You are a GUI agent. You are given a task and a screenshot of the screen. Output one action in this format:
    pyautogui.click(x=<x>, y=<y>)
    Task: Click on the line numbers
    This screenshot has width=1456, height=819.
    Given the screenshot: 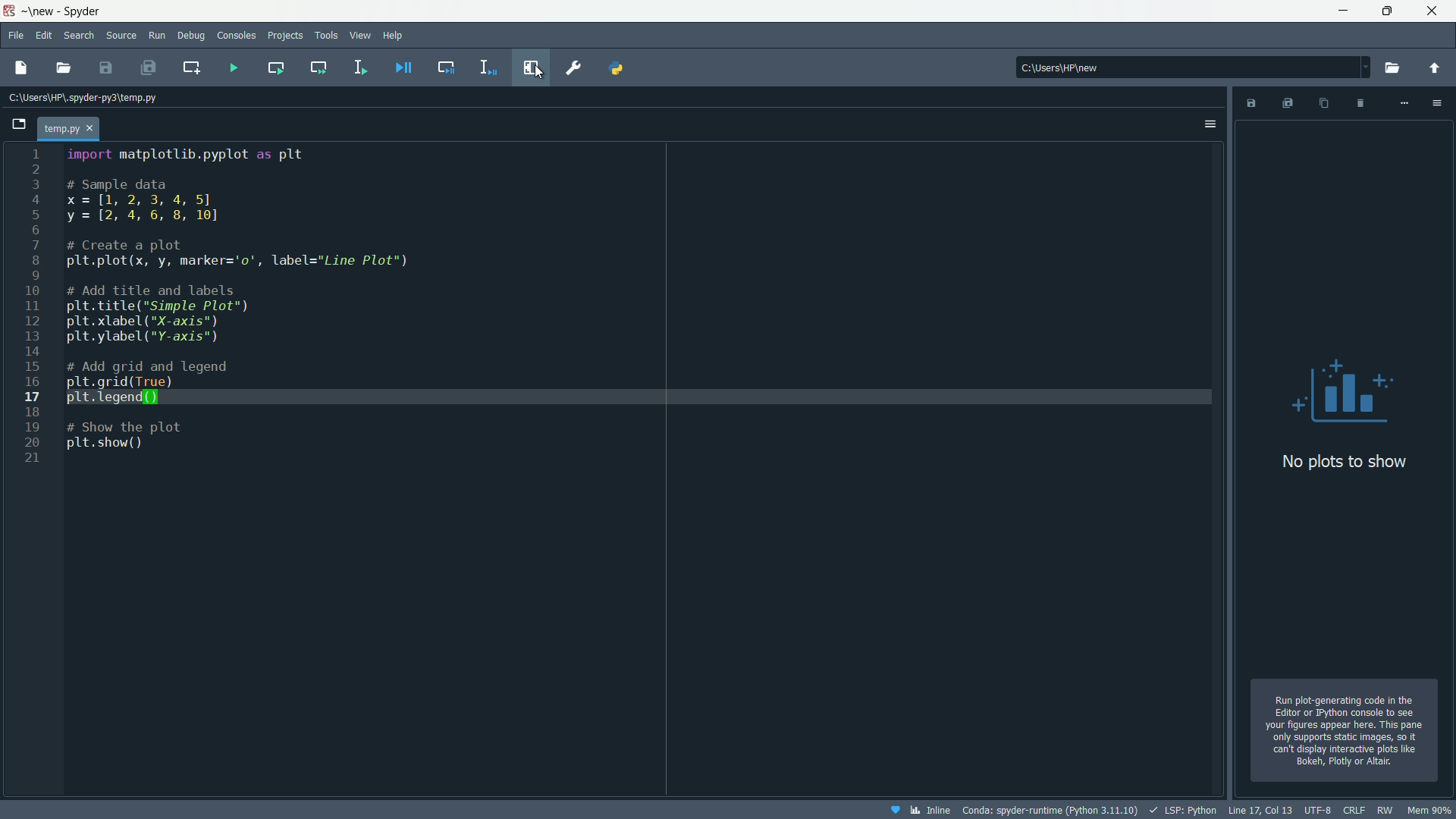 What is the action you would take?
    pyautogui.click(x=34, y=303)
    